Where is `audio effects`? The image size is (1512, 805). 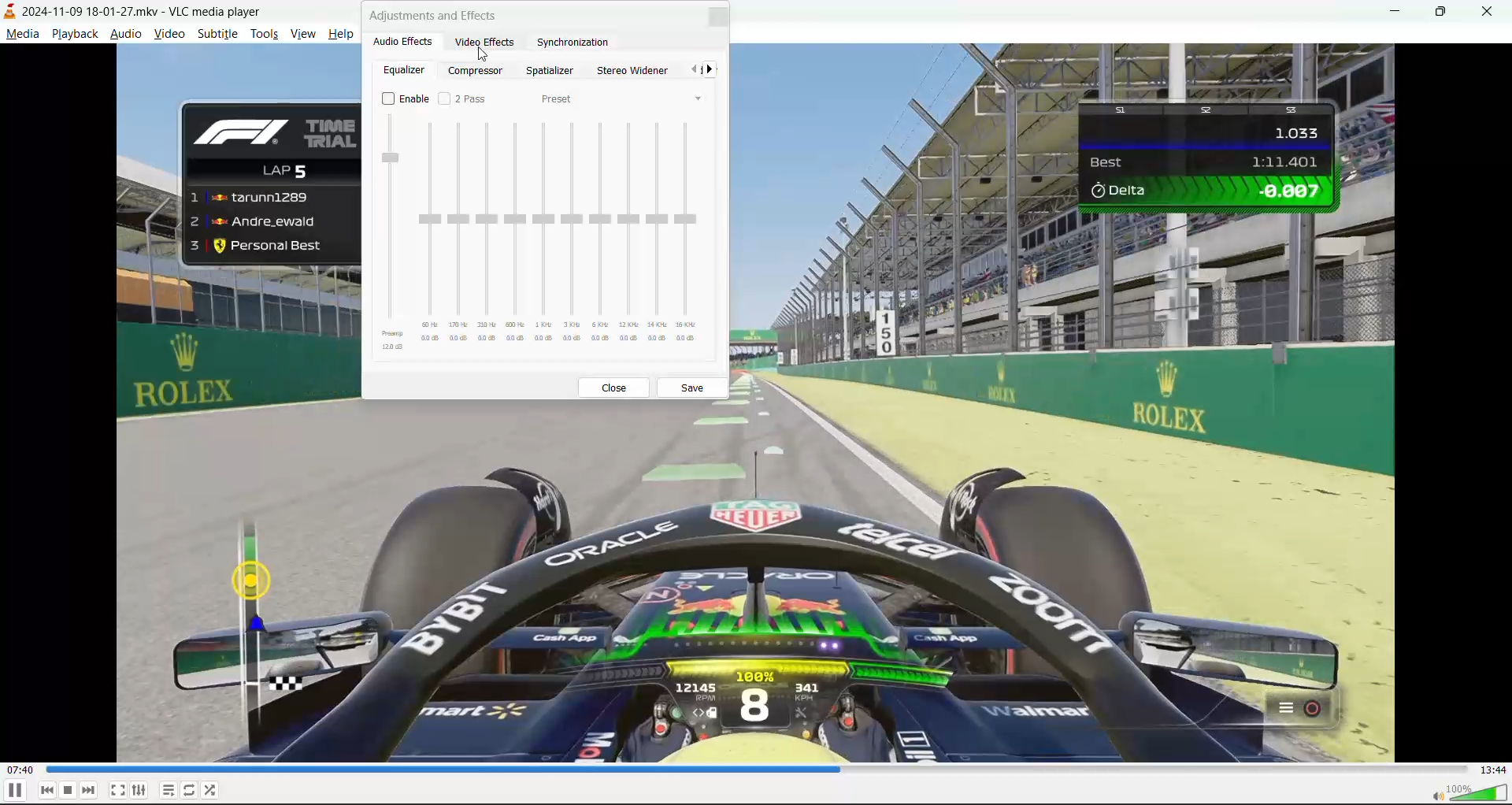 audio effects is located at coordinates (403, 41).